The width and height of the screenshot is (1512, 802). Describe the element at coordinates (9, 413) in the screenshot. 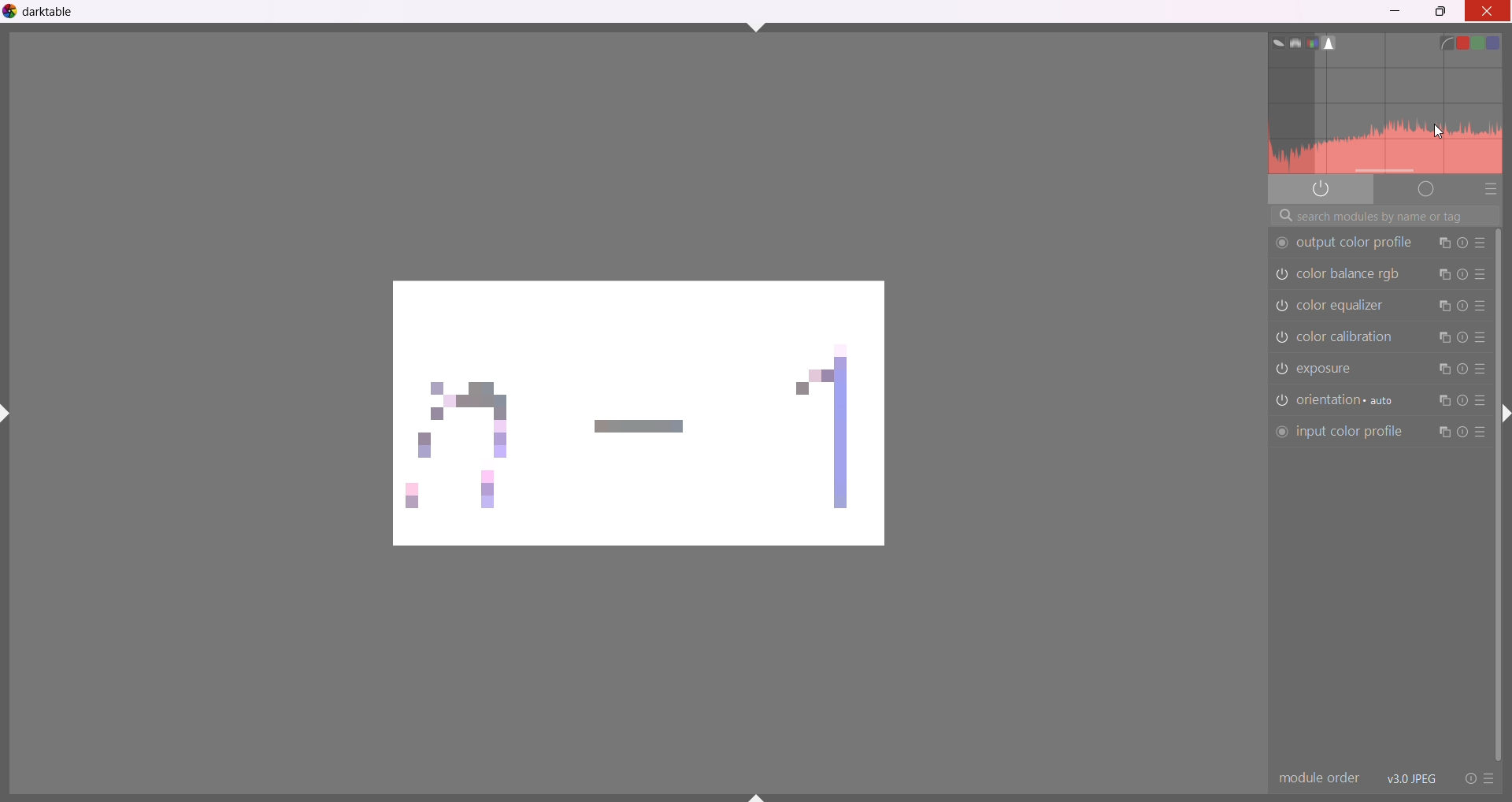

I see `shift+ctrl+l` at that location.